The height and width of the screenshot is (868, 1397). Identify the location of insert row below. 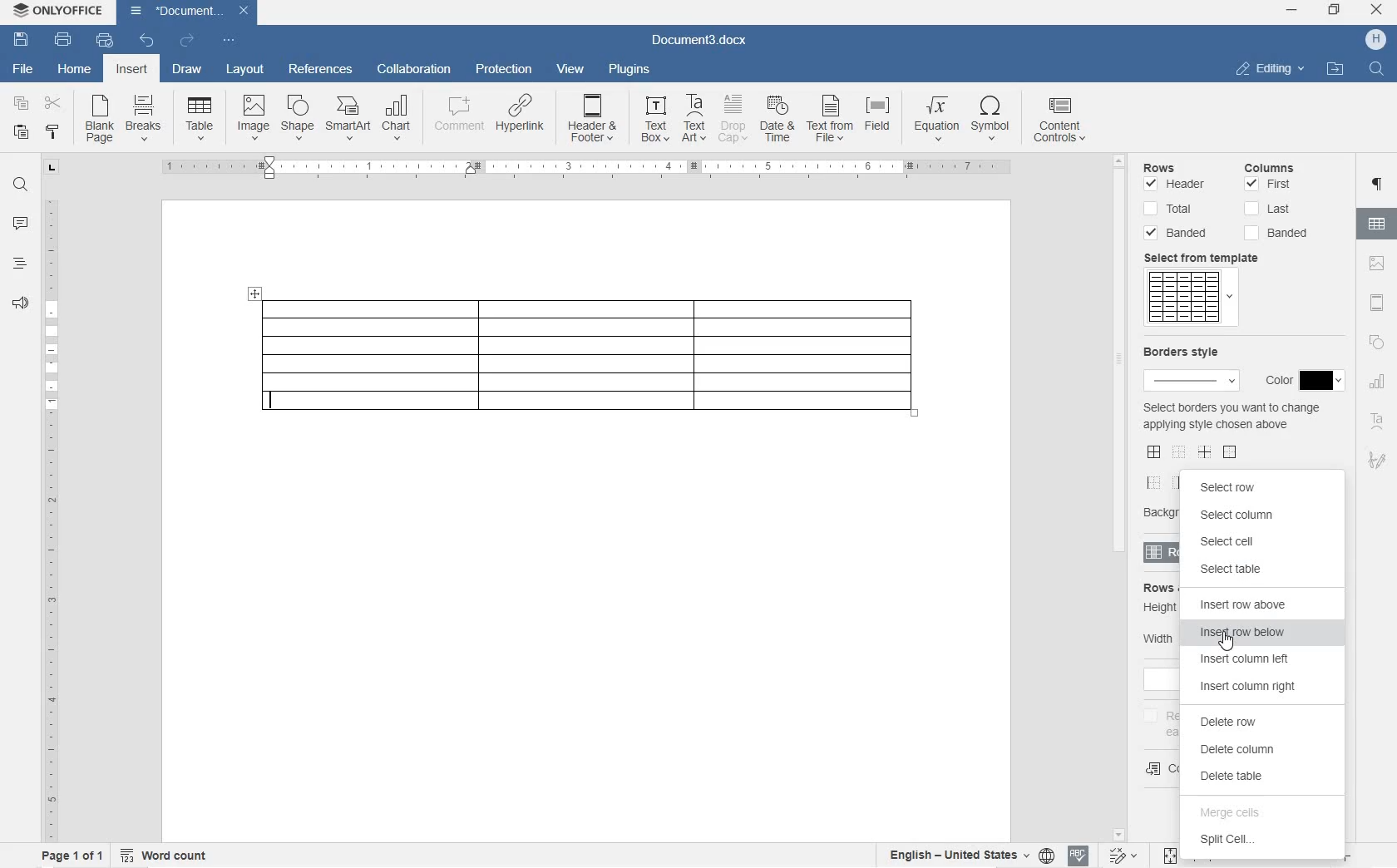
(1254, 632).